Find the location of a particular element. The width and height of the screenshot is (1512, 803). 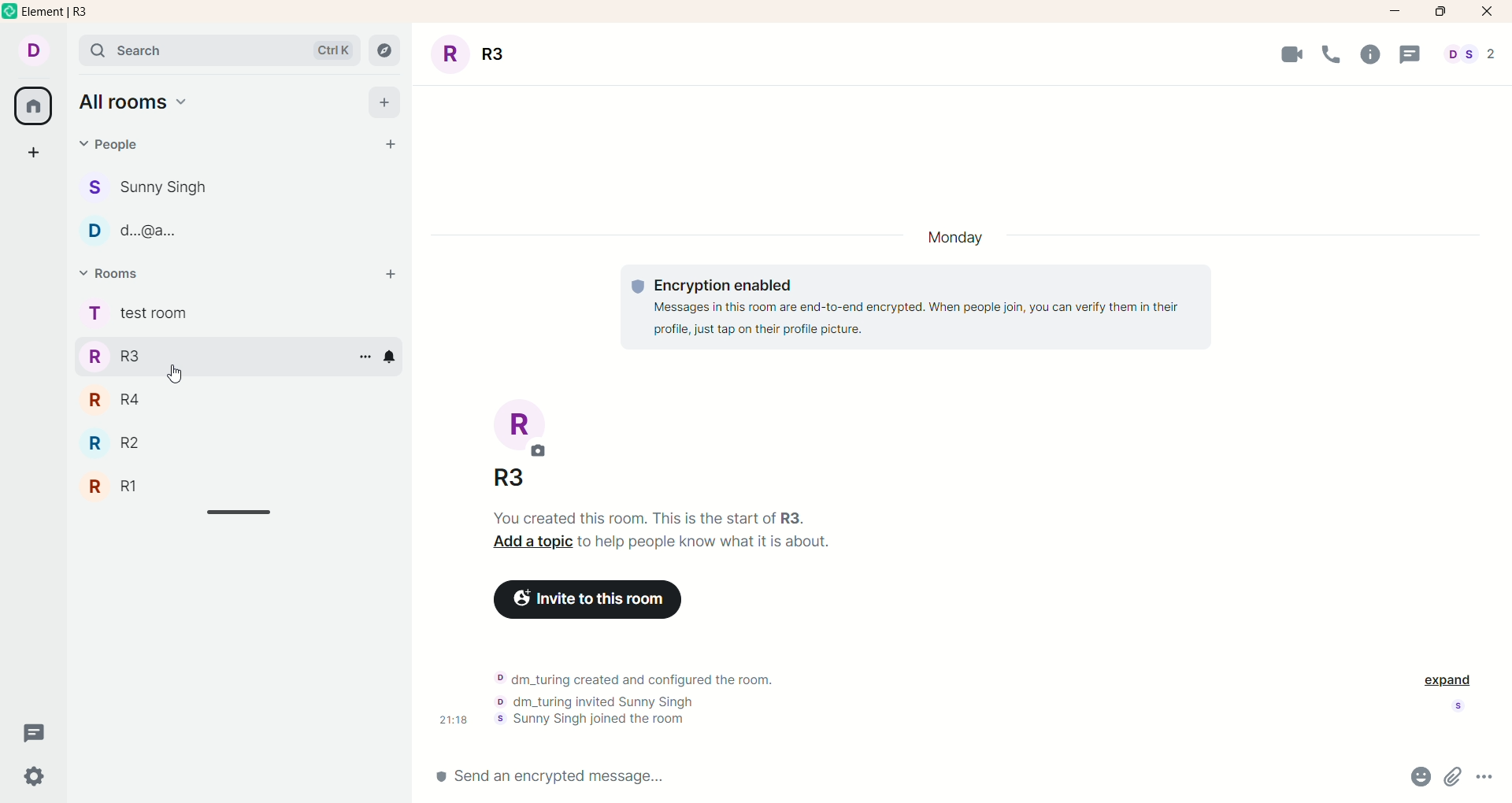

text is located at coordinates (665, 534).